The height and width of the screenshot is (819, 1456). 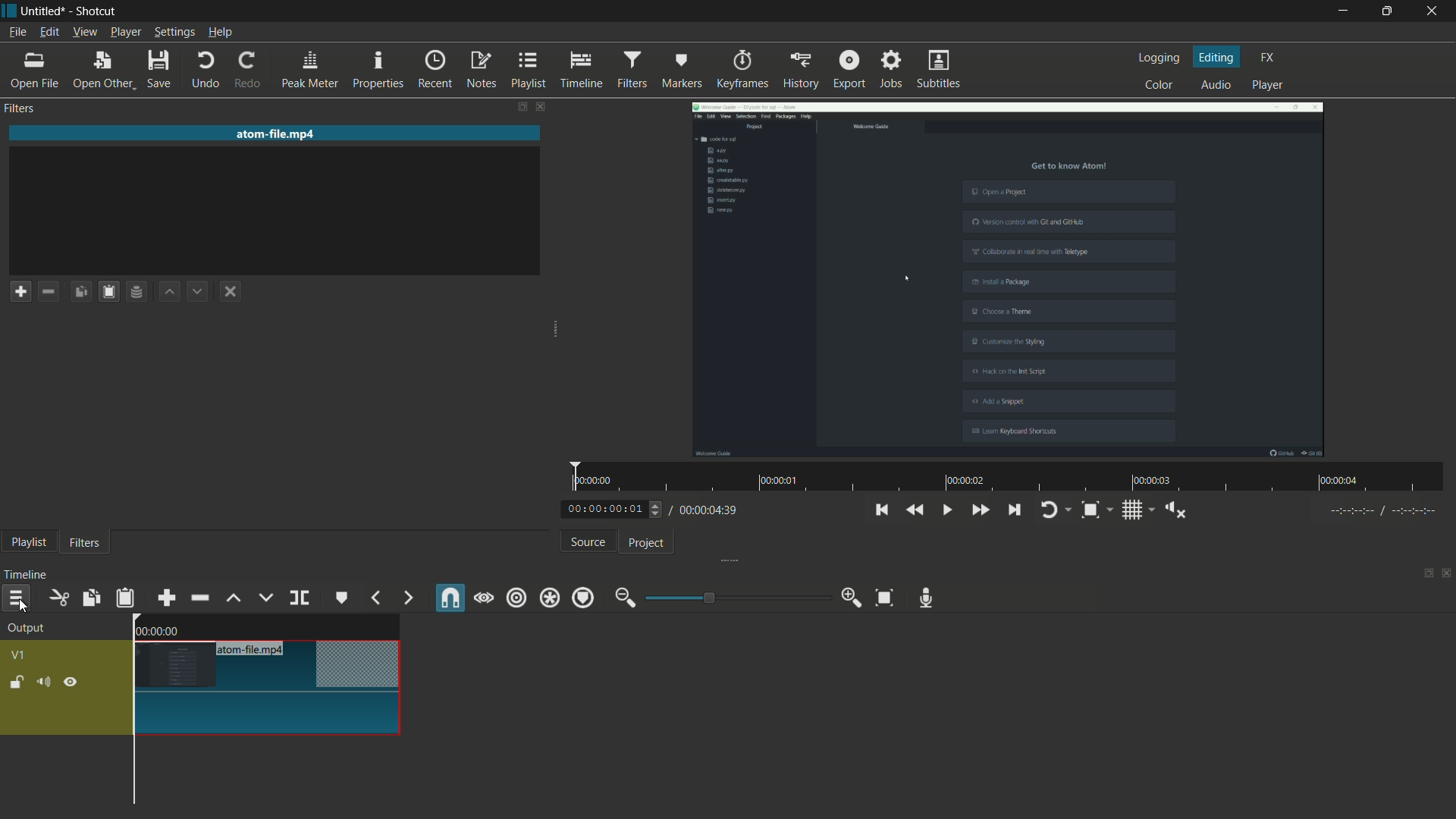 What do you see at coordinates (1447, 573) in the screenshot?
I see `close timeline` at bounding box center [1447, 573].